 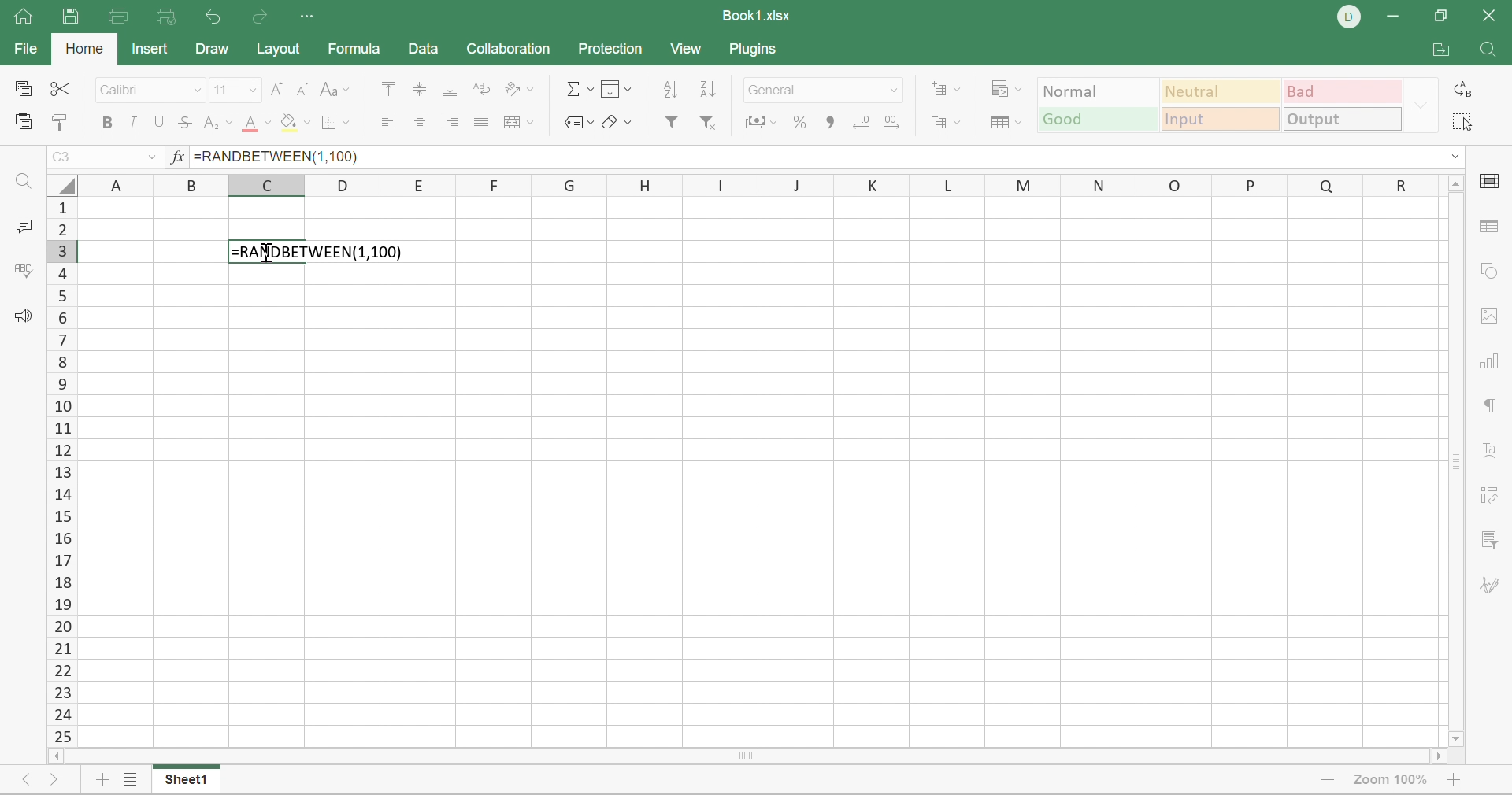 What do you see at coordinates (254, 90) in the screenshot?
I see `Drop Down` at bounding box center [254, 90].